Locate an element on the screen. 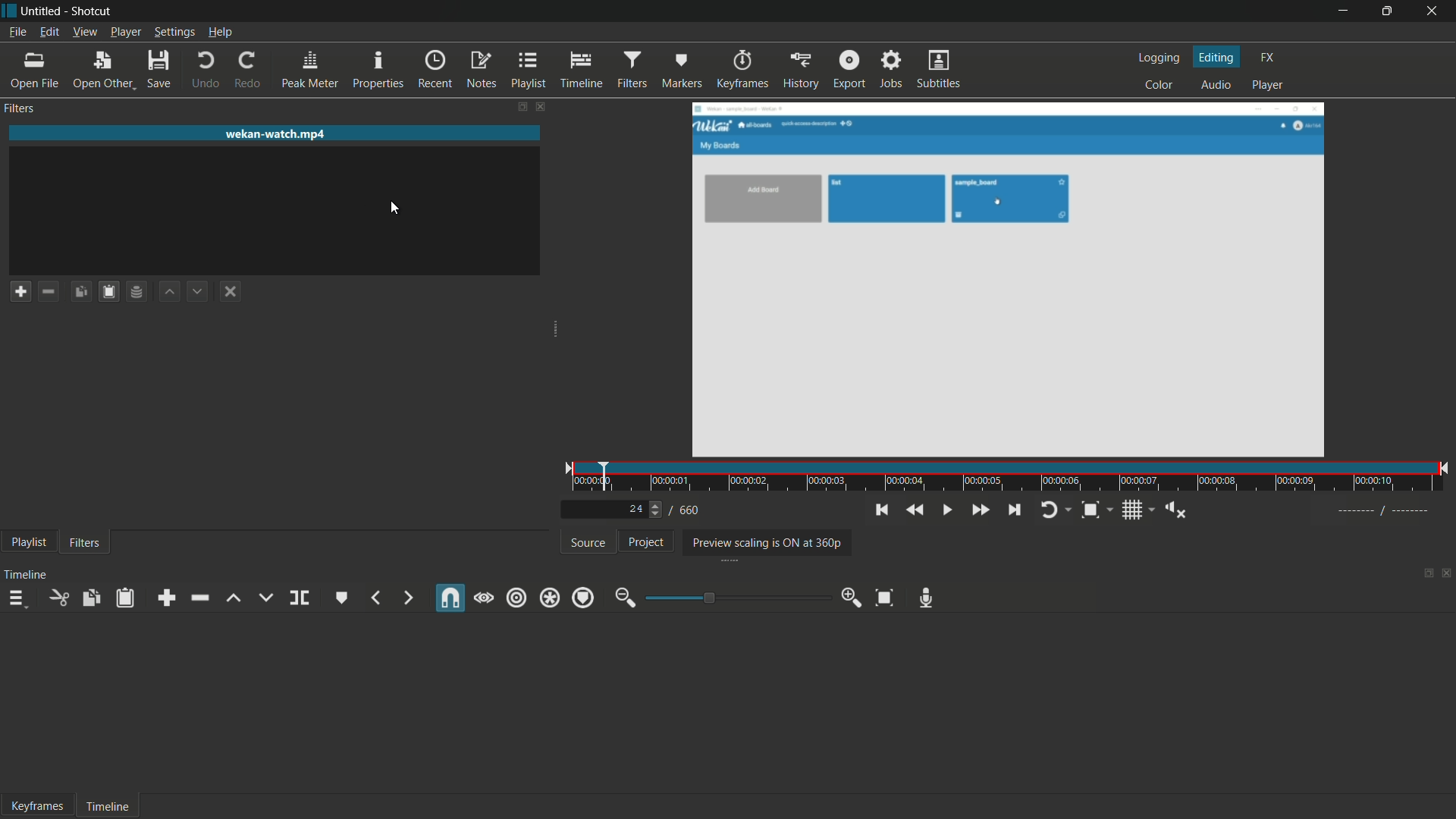  player menu is located at coordinates (124, 32).